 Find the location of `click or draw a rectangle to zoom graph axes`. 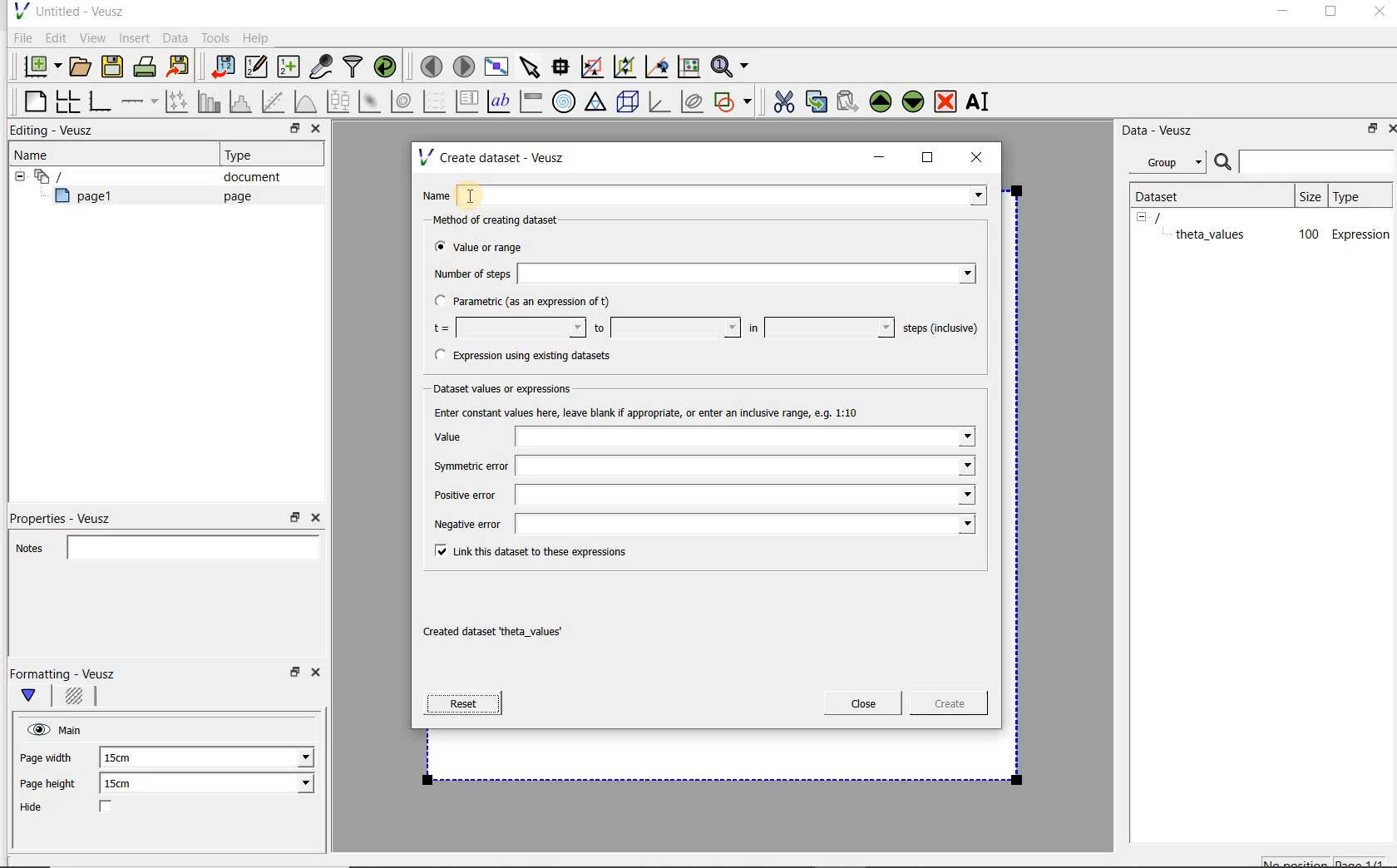

click or draw a rectangle to zoom graph axes is located at coordinates (595, 67).